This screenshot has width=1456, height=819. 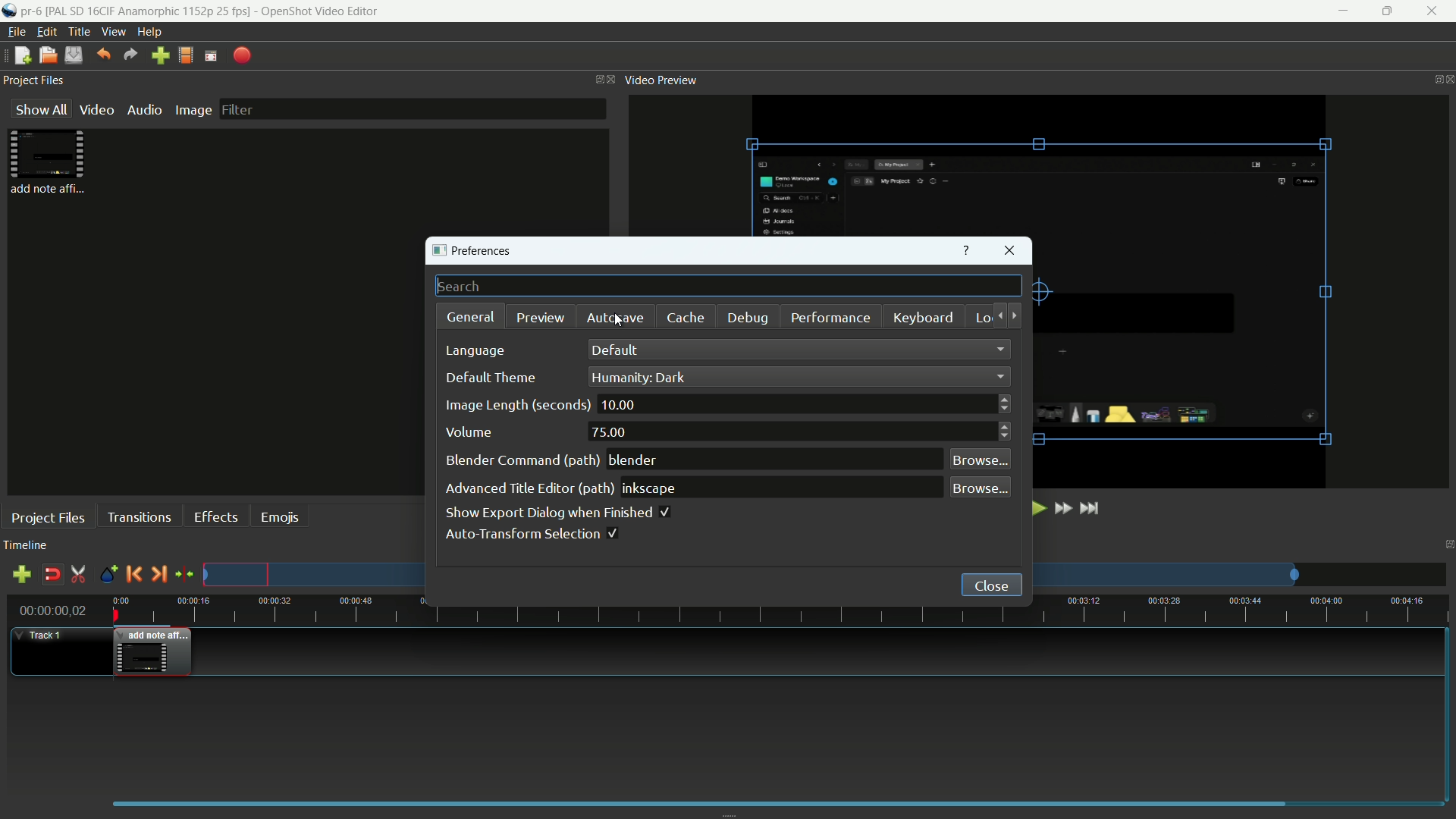 What do you see at coordinates (531, 534) in the screenshot?
I see `auto transform selection` at bounding box center [531, 534].